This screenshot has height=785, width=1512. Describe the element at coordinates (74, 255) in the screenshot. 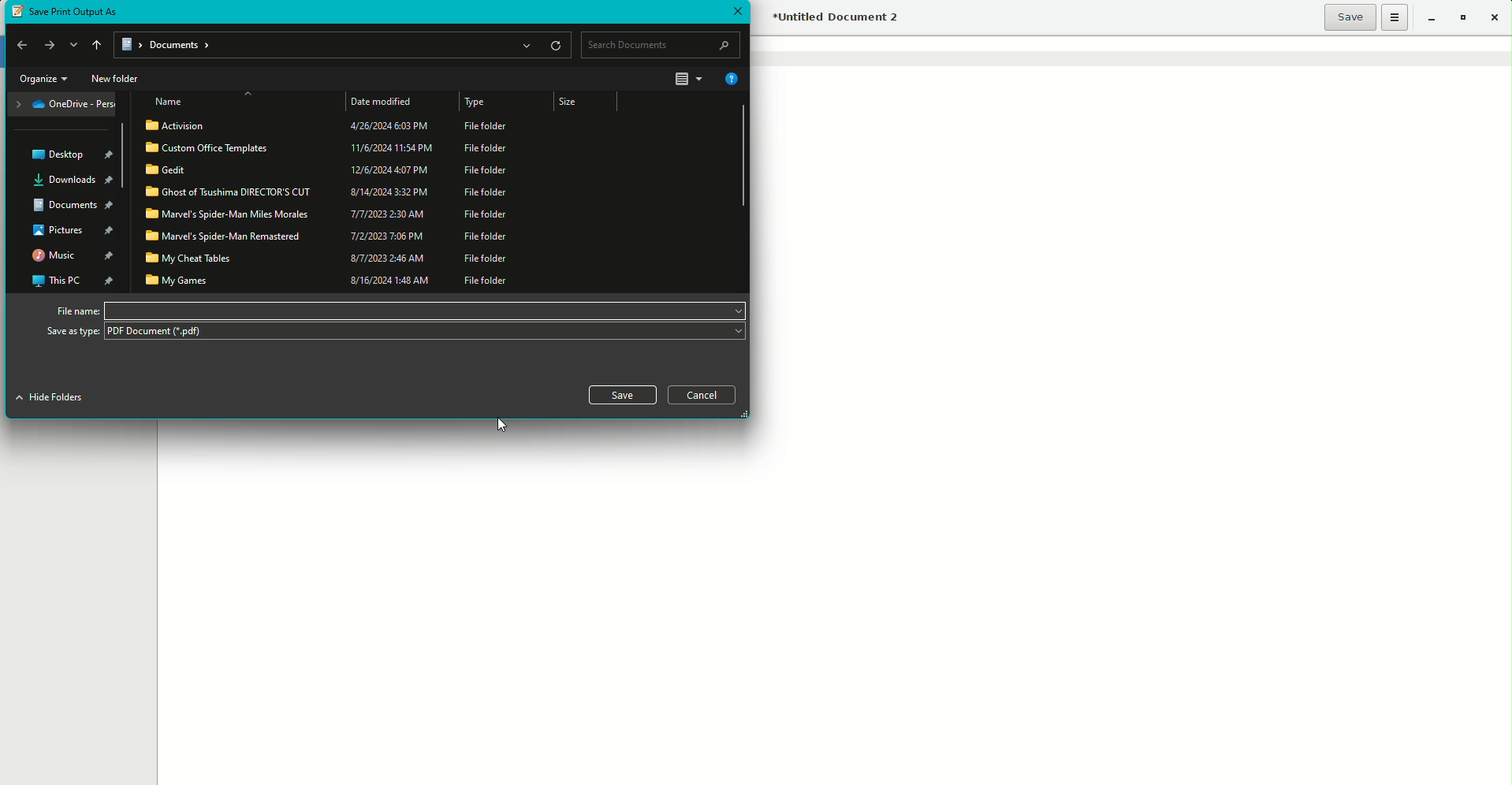

I see `Music` at that location.